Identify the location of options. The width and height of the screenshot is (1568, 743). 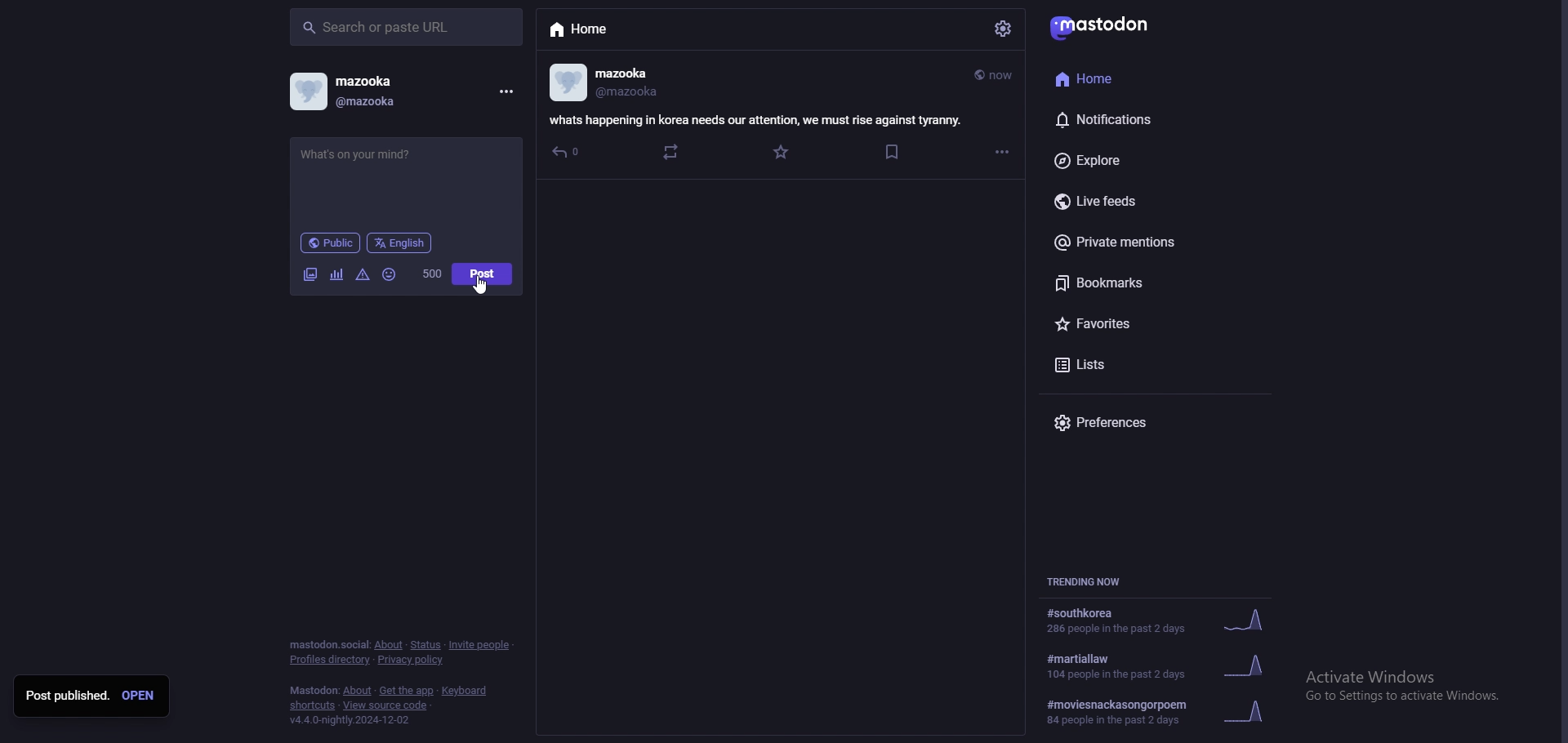
(1002, 152).